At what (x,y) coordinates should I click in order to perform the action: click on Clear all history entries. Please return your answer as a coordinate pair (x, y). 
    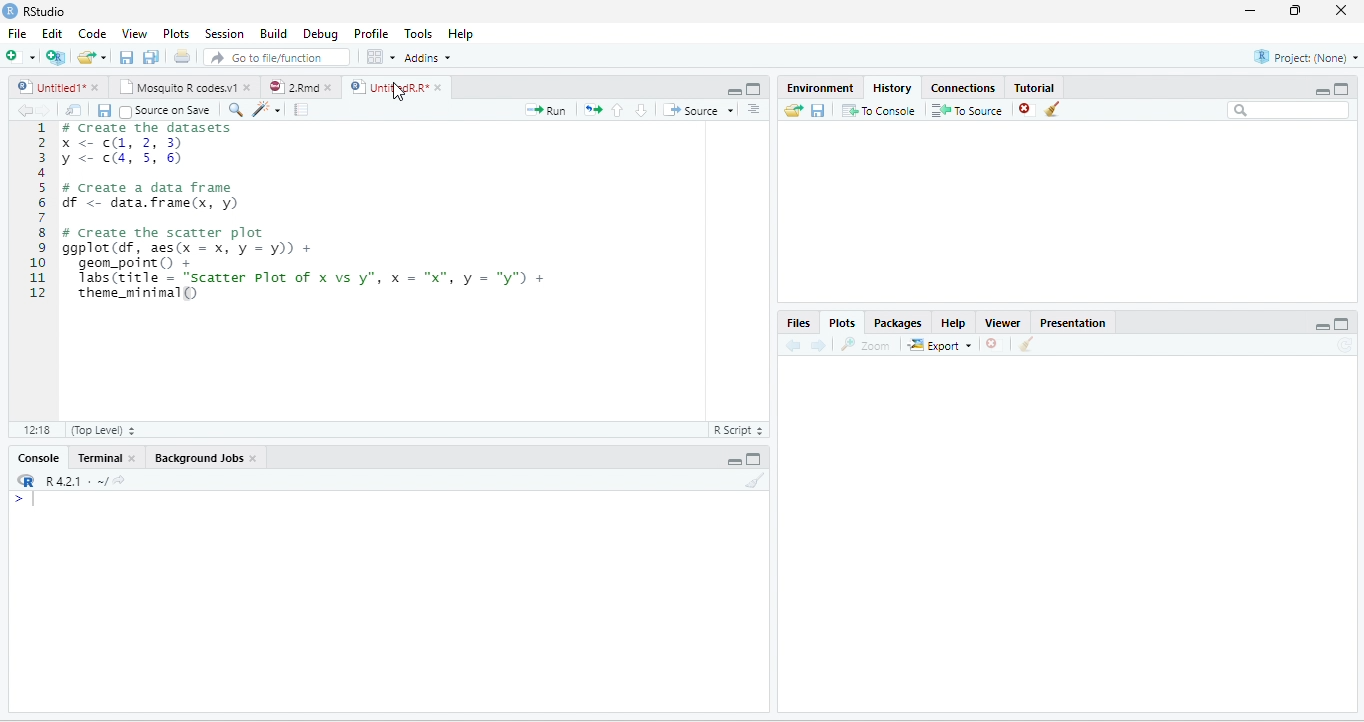
    Looking at the image, I should click on (1053, 109).